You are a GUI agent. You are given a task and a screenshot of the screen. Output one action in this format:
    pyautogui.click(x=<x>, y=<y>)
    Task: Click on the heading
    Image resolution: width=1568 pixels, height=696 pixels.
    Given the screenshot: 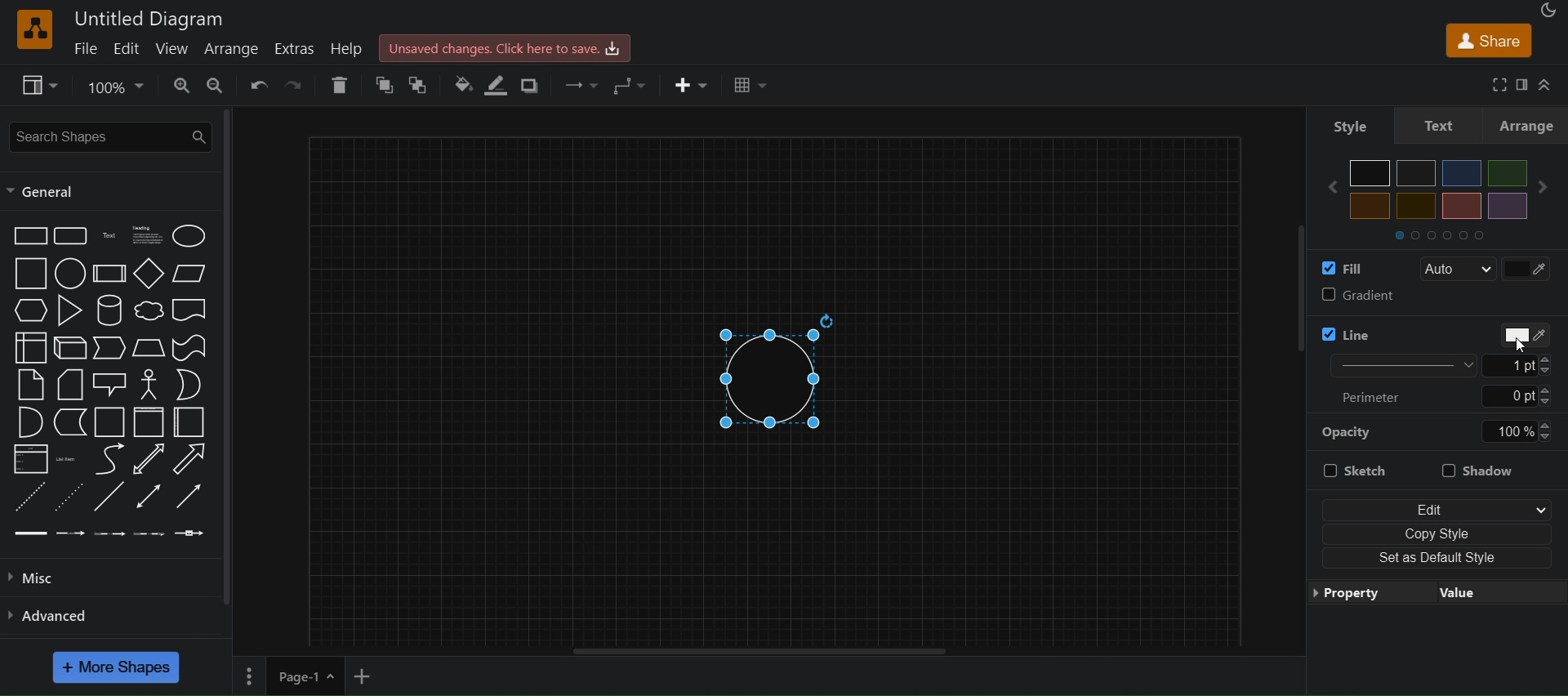 What is the action you would take?
    pyautogui.click(x=149, y=235)
    